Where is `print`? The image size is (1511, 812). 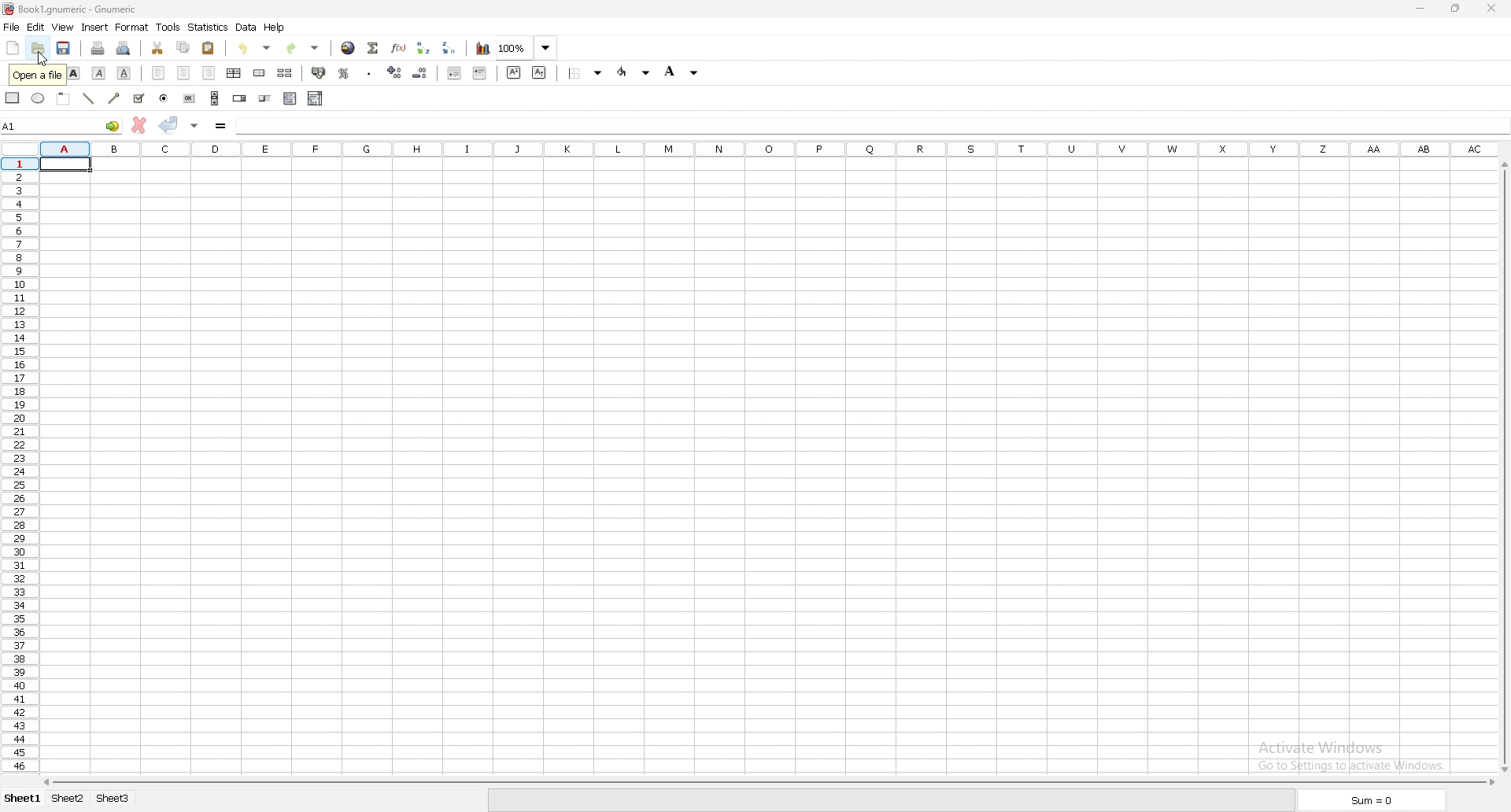 print is located at coordinates (98, 47).